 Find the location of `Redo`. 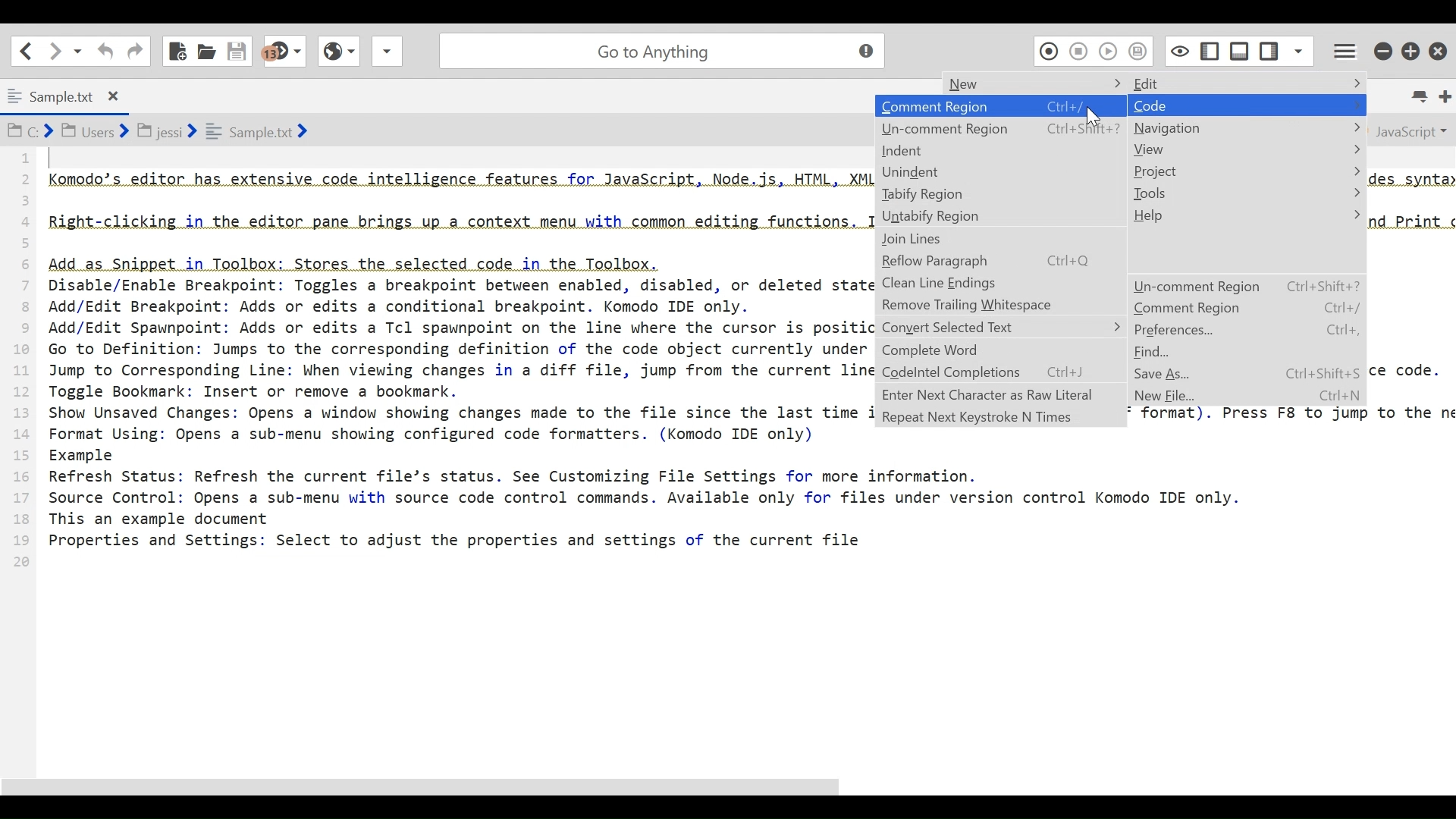

Redo is located at coordinates (135, 50).